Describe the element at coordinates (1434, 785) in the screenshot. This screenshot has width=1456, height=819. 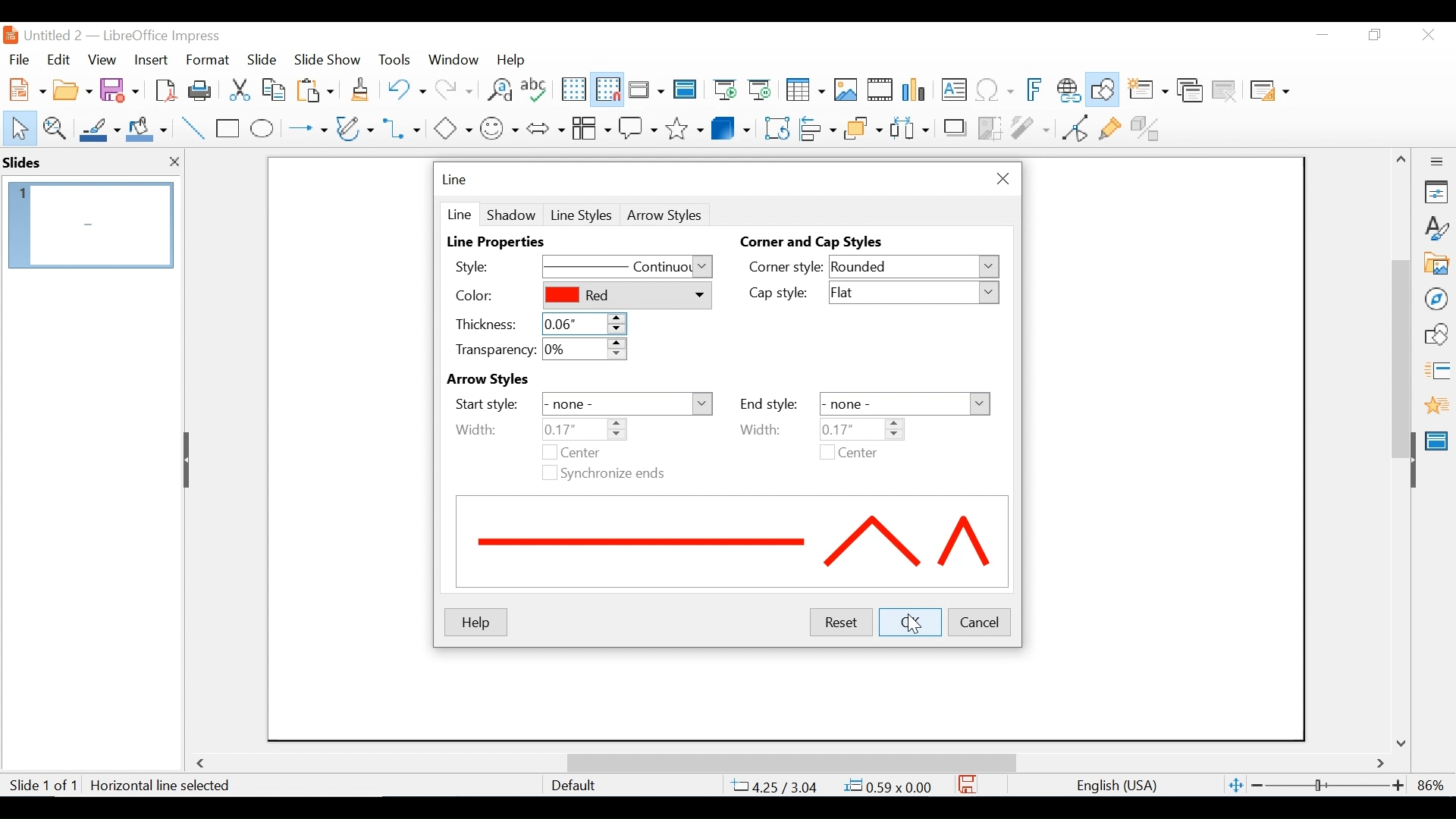
I see `86%` at that location.